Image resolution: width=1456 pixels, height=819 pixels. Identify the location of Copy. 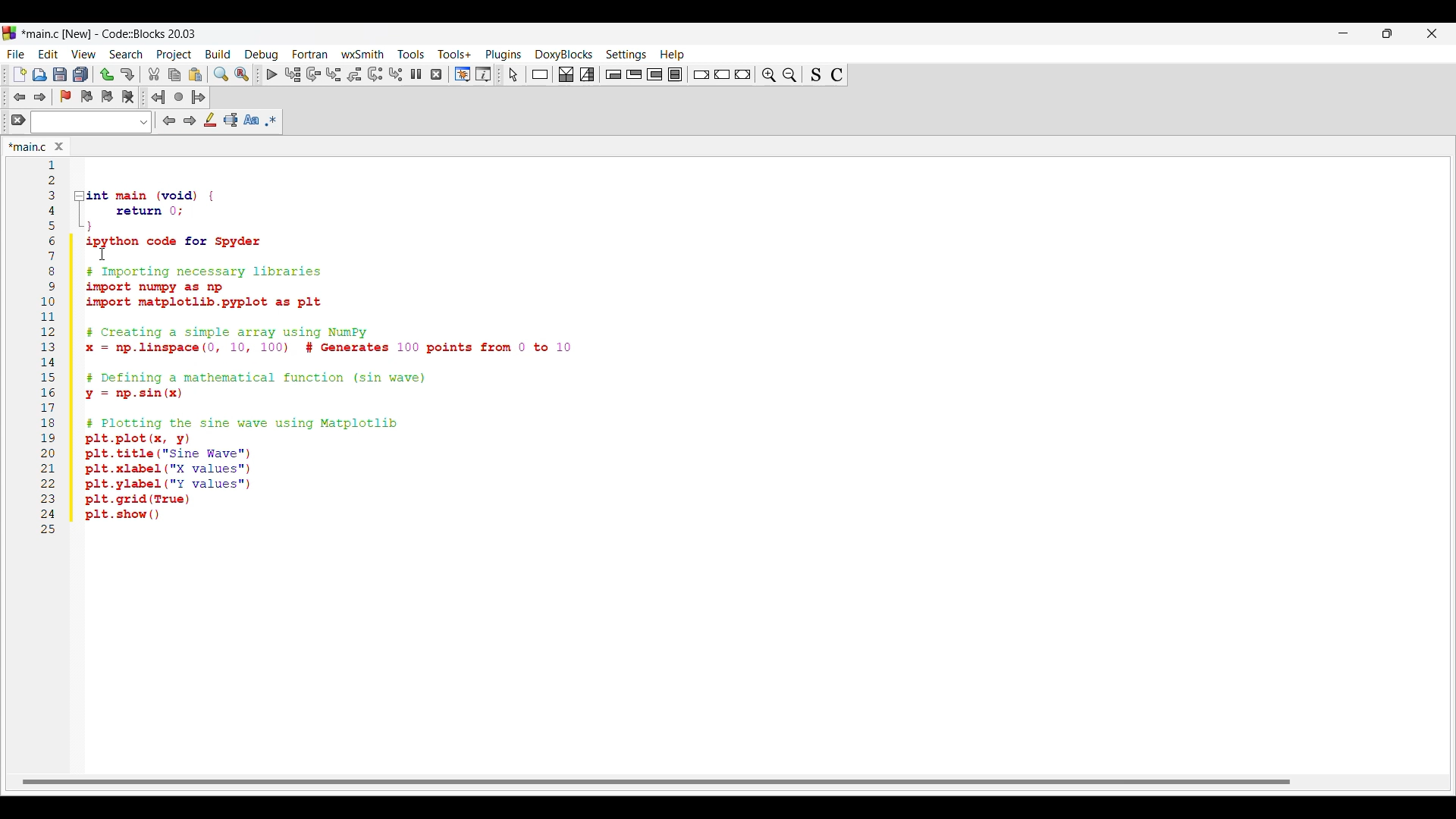
(174, 74).